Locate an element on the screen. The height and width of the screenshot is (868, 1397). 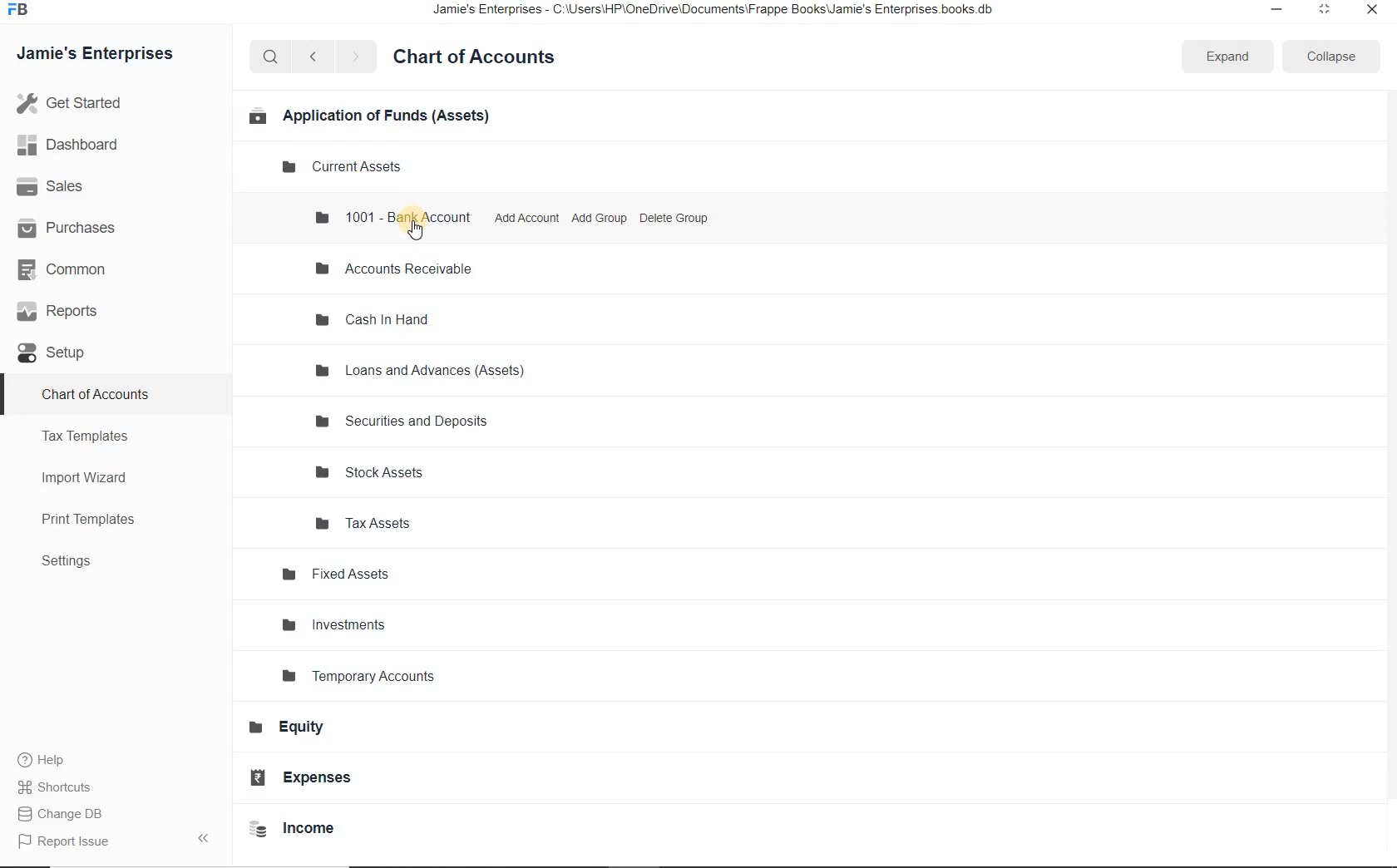
Securities and Deposits is located at coordinates (404, 421).